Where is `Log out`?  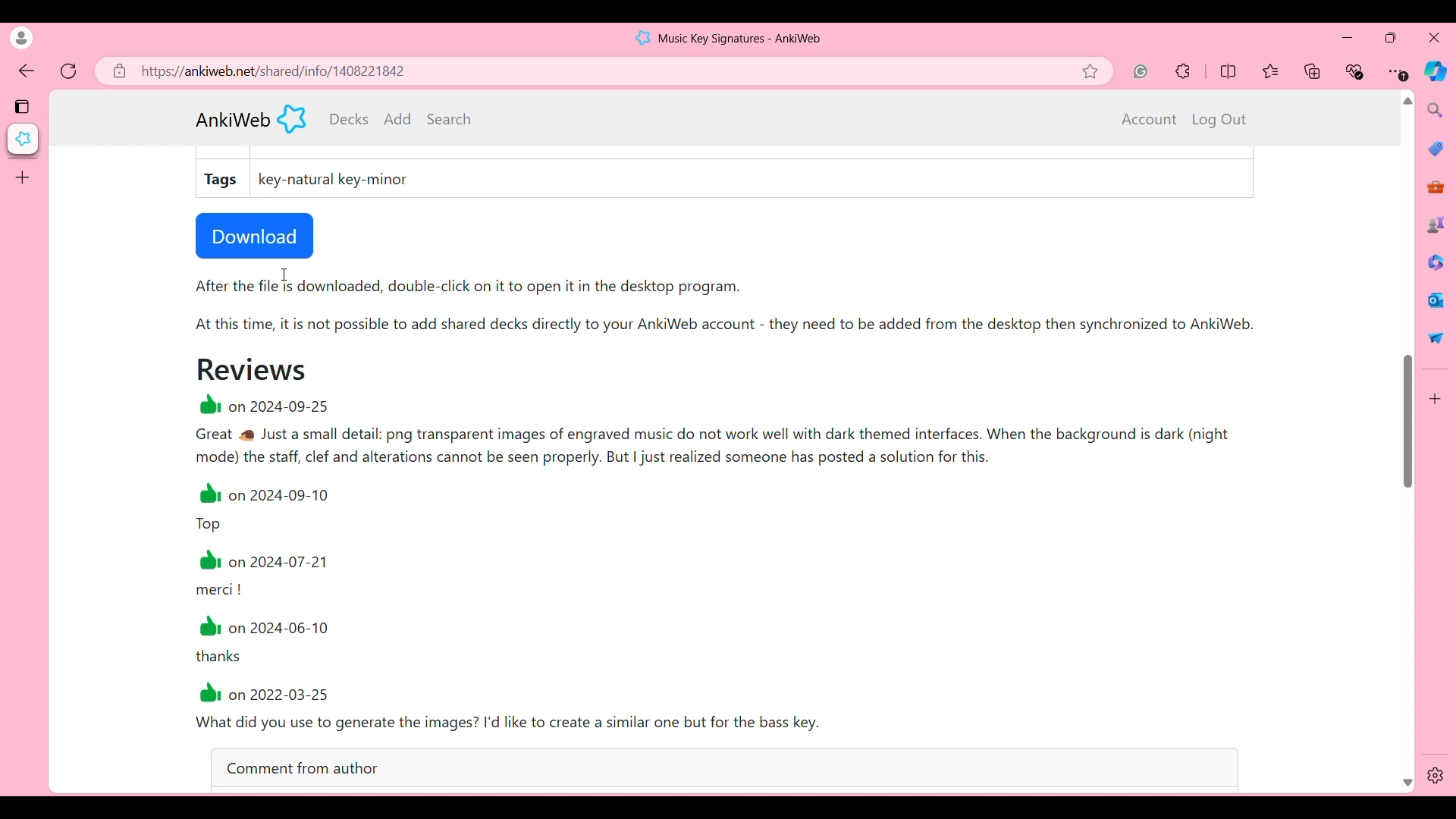 Log out is located at coordinates (1219, 120).